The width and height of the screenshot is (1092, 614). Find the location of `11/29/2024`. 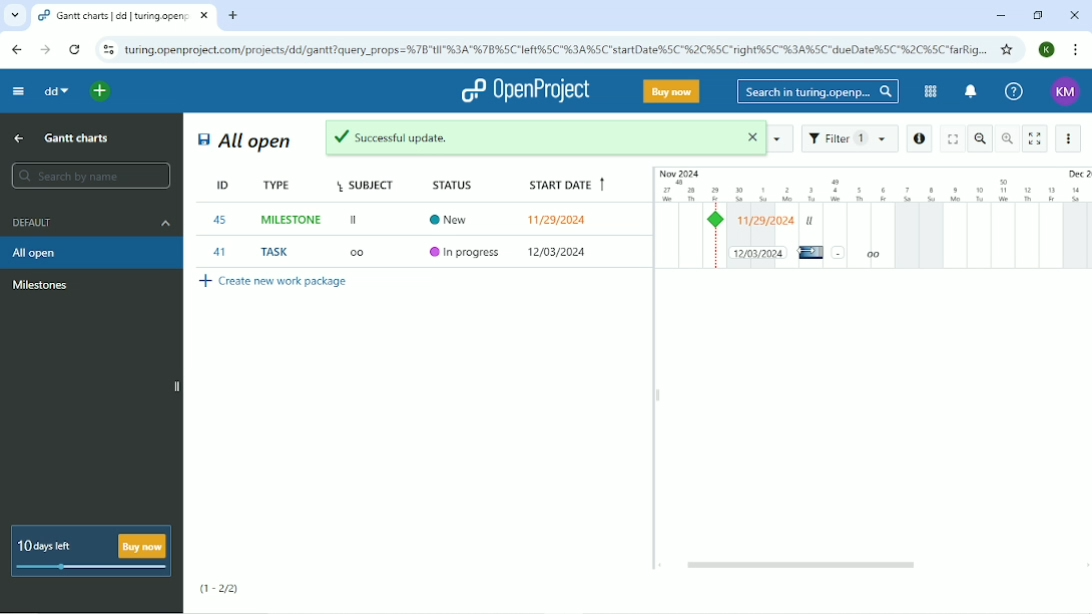

11/29/2024 is located at coordinates (561, 219).